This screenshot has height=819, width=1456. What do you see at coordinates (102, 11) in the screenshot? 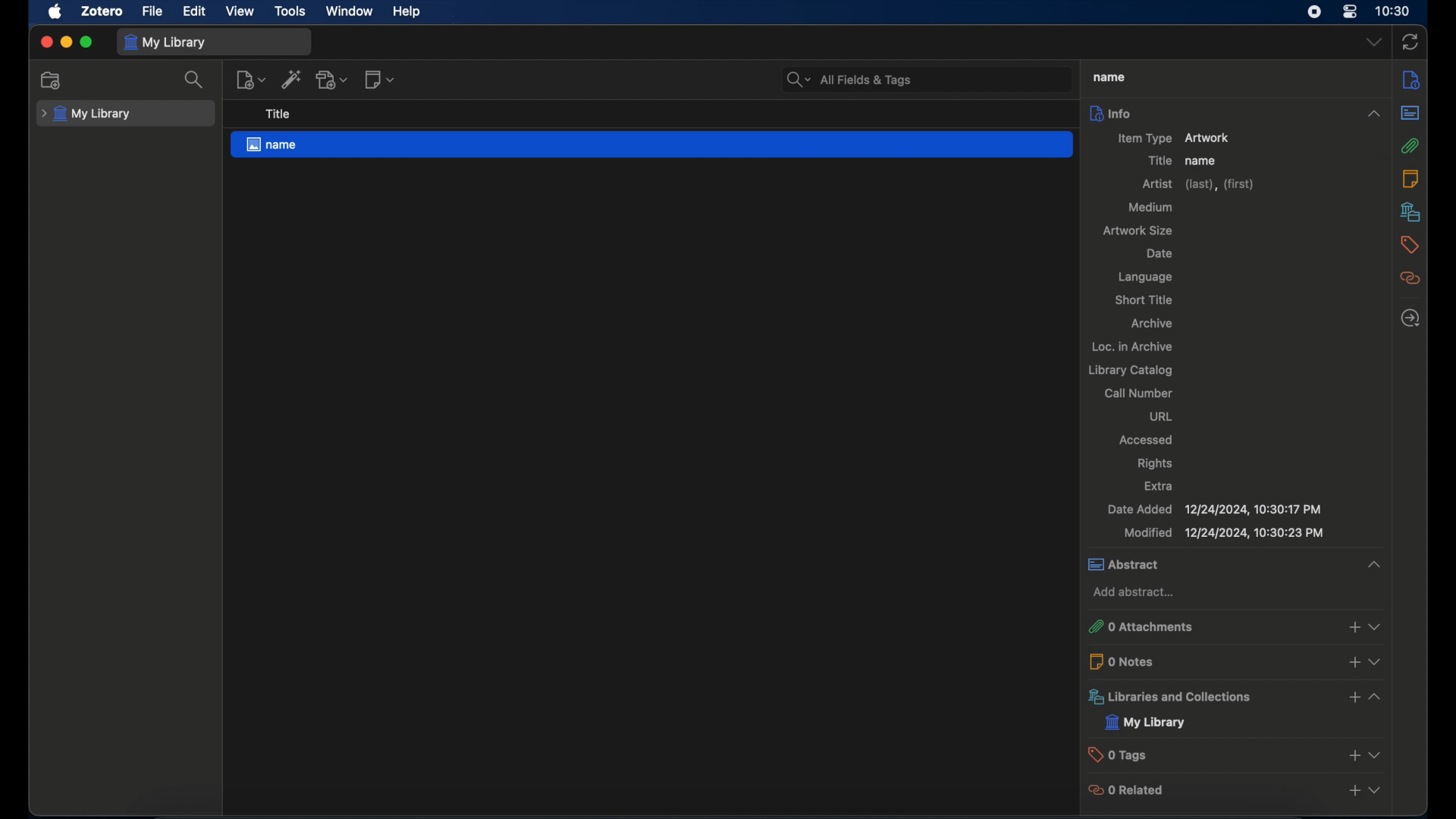
I see `zotero` at bounding box center [102, 11].